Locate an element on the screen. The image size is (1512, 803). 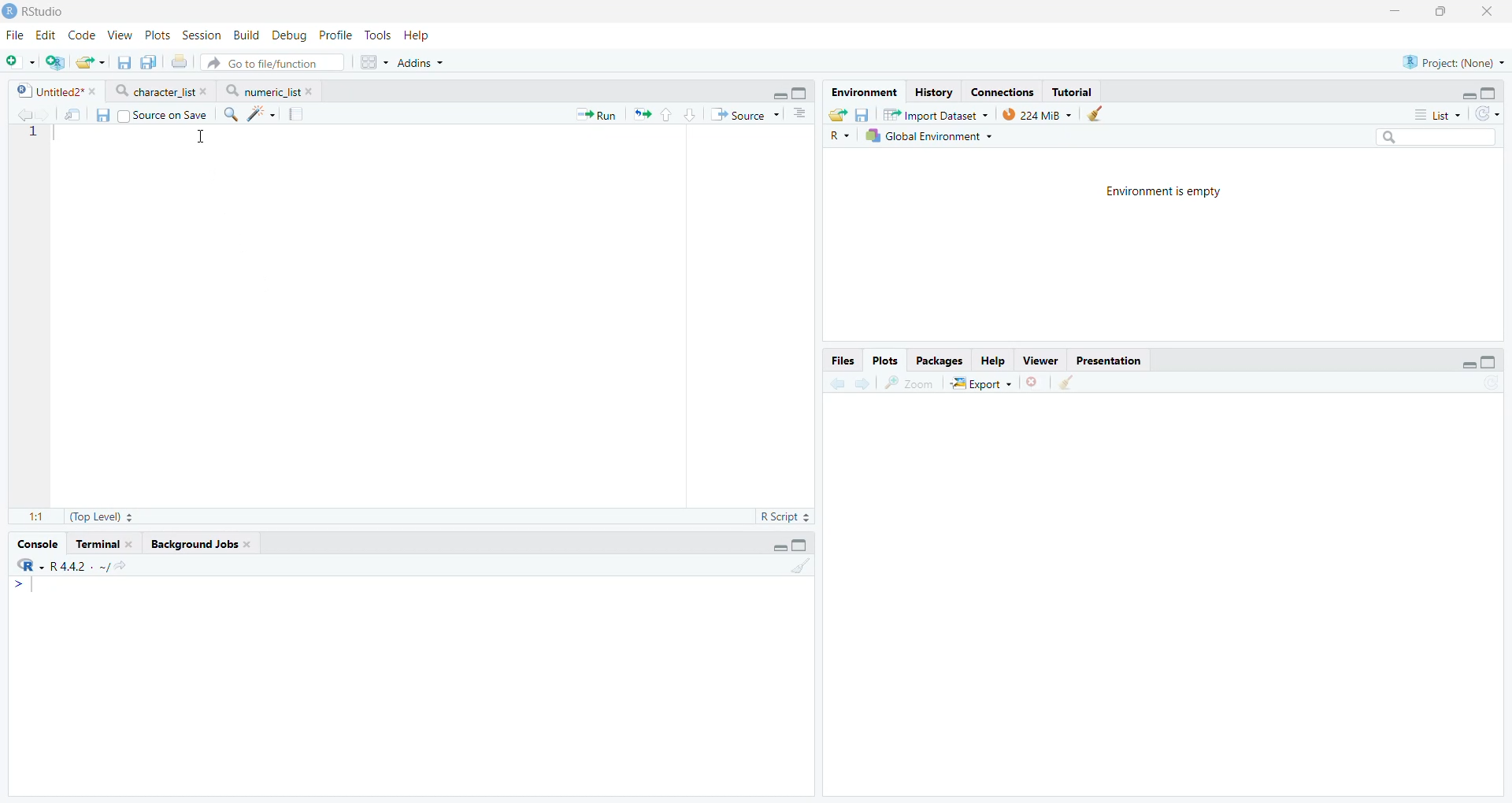
View is located at coordinates (122, 33).